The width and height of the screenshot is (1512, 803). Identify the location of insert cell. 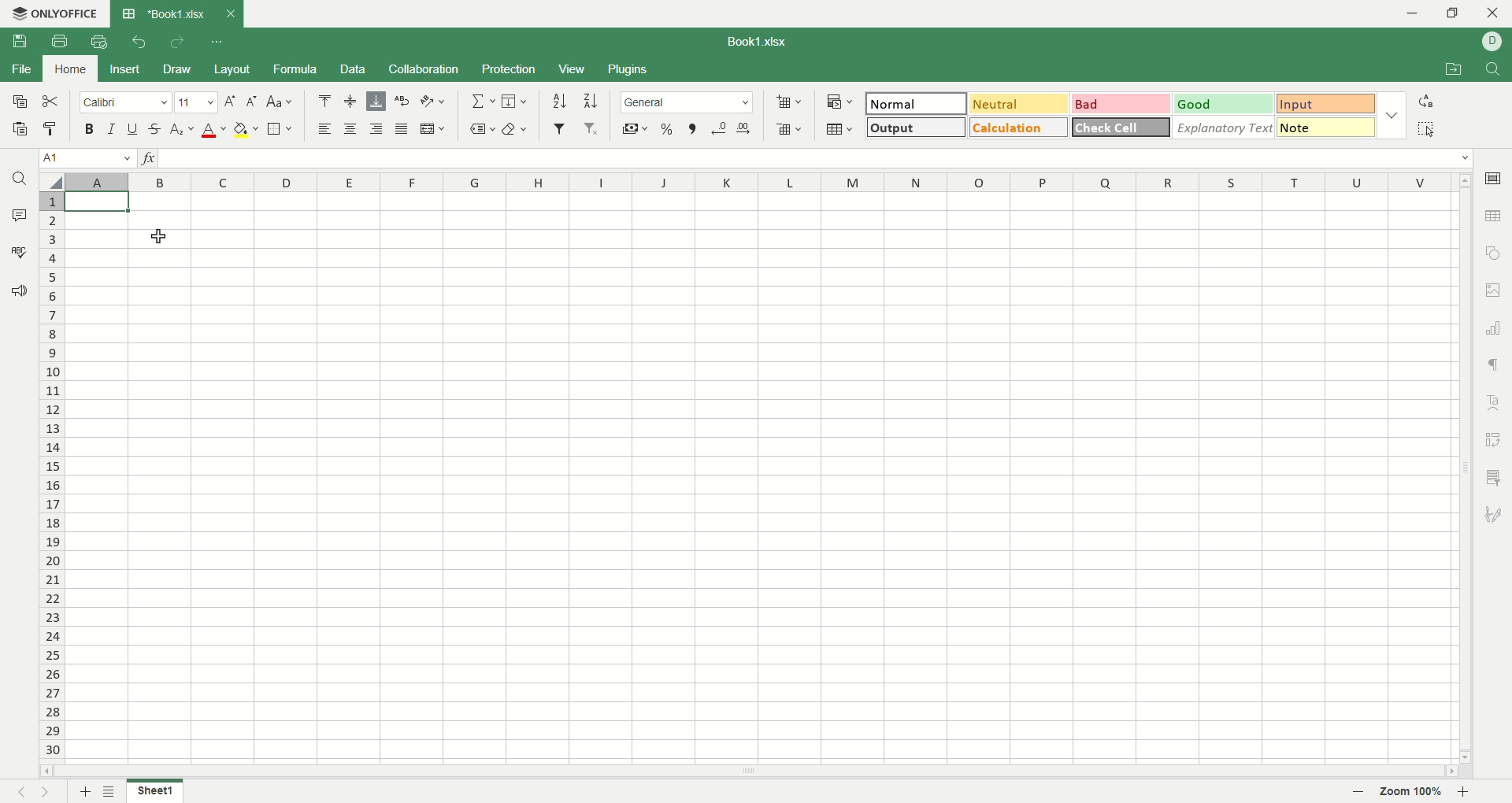
(790, 103).